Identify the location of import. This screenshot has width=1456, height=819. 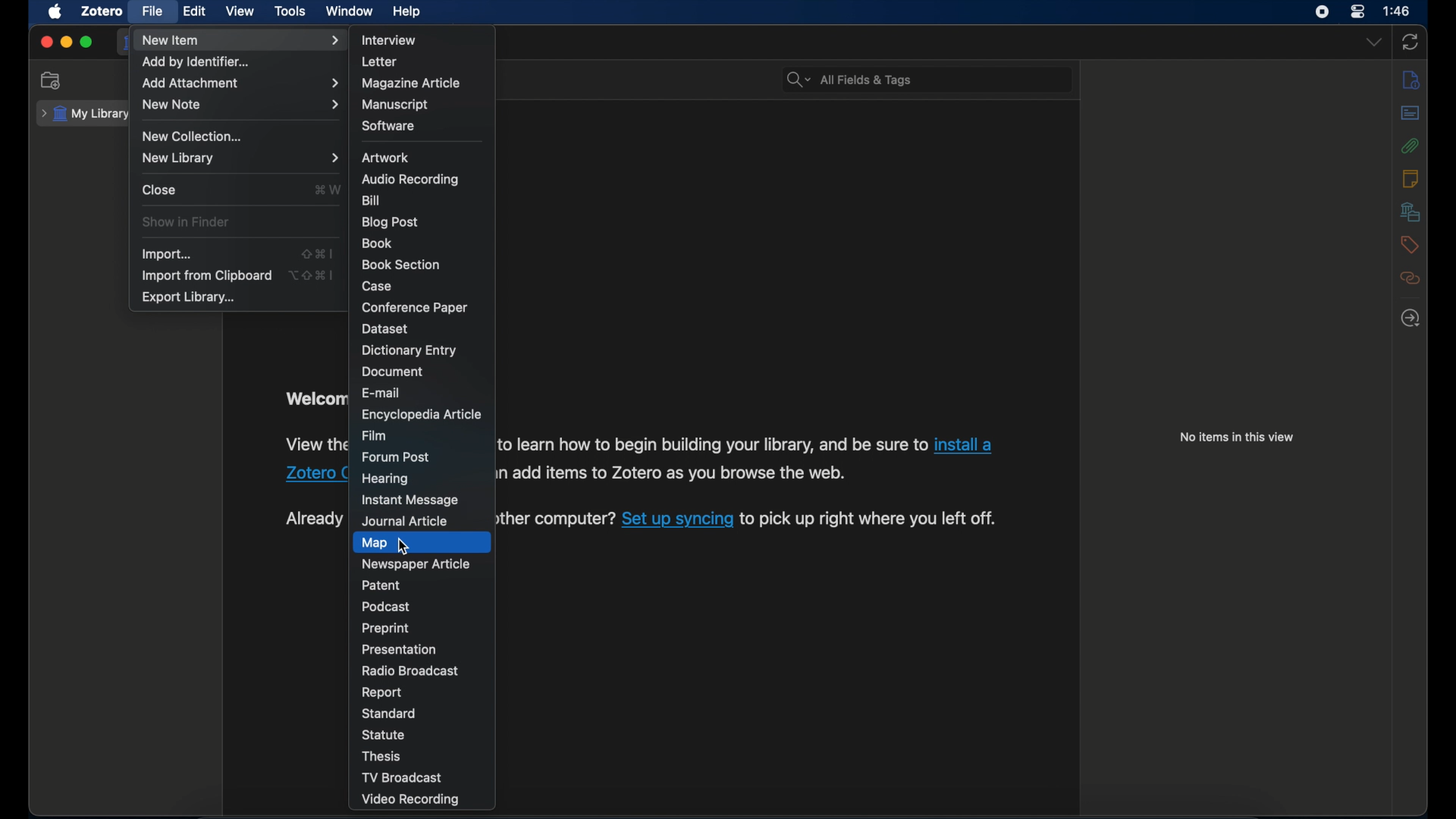
(165, 254).